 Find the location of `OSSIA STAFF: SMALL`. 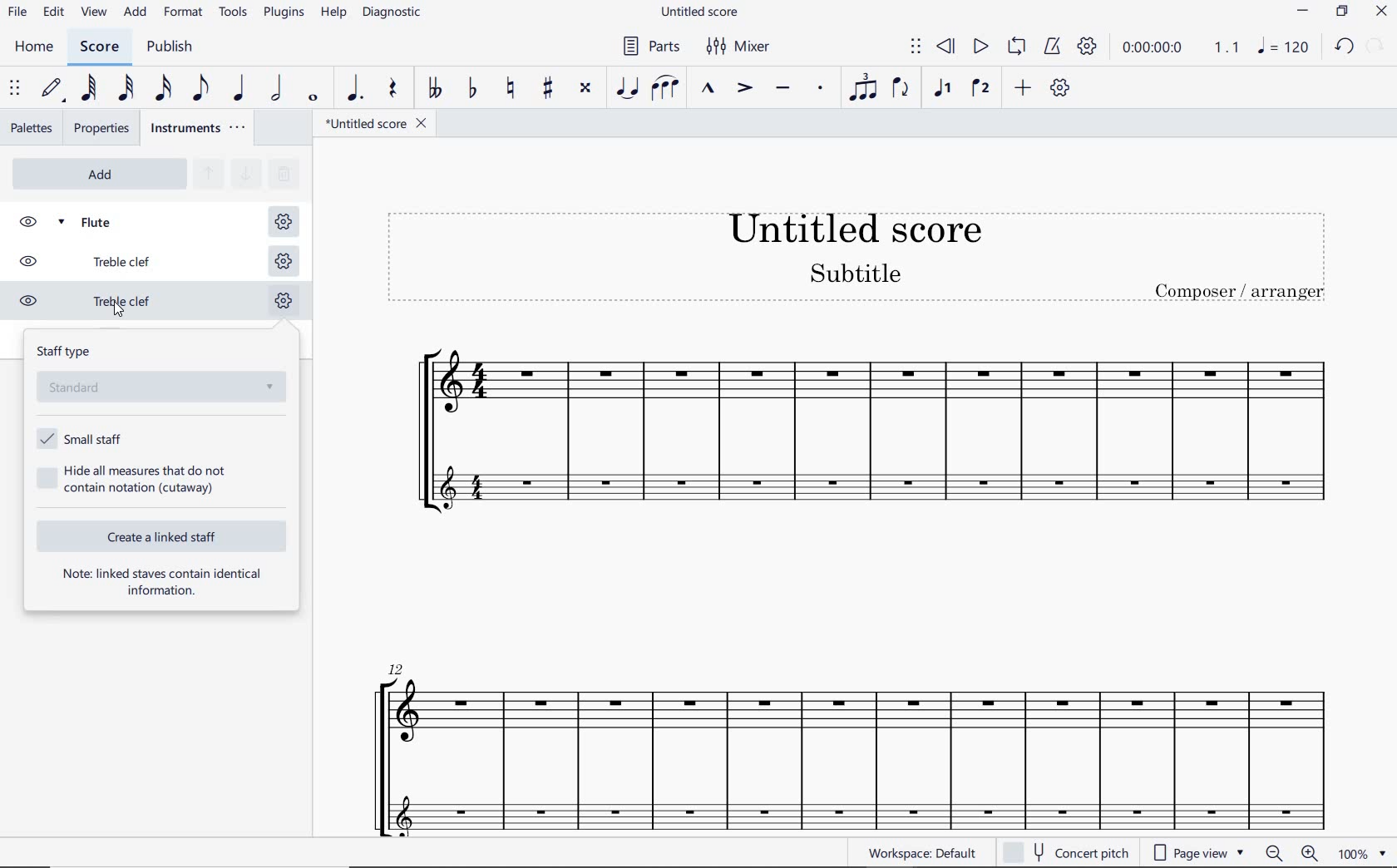

OSSIA STAFF: SMALL is located at coordinates (876, 486).